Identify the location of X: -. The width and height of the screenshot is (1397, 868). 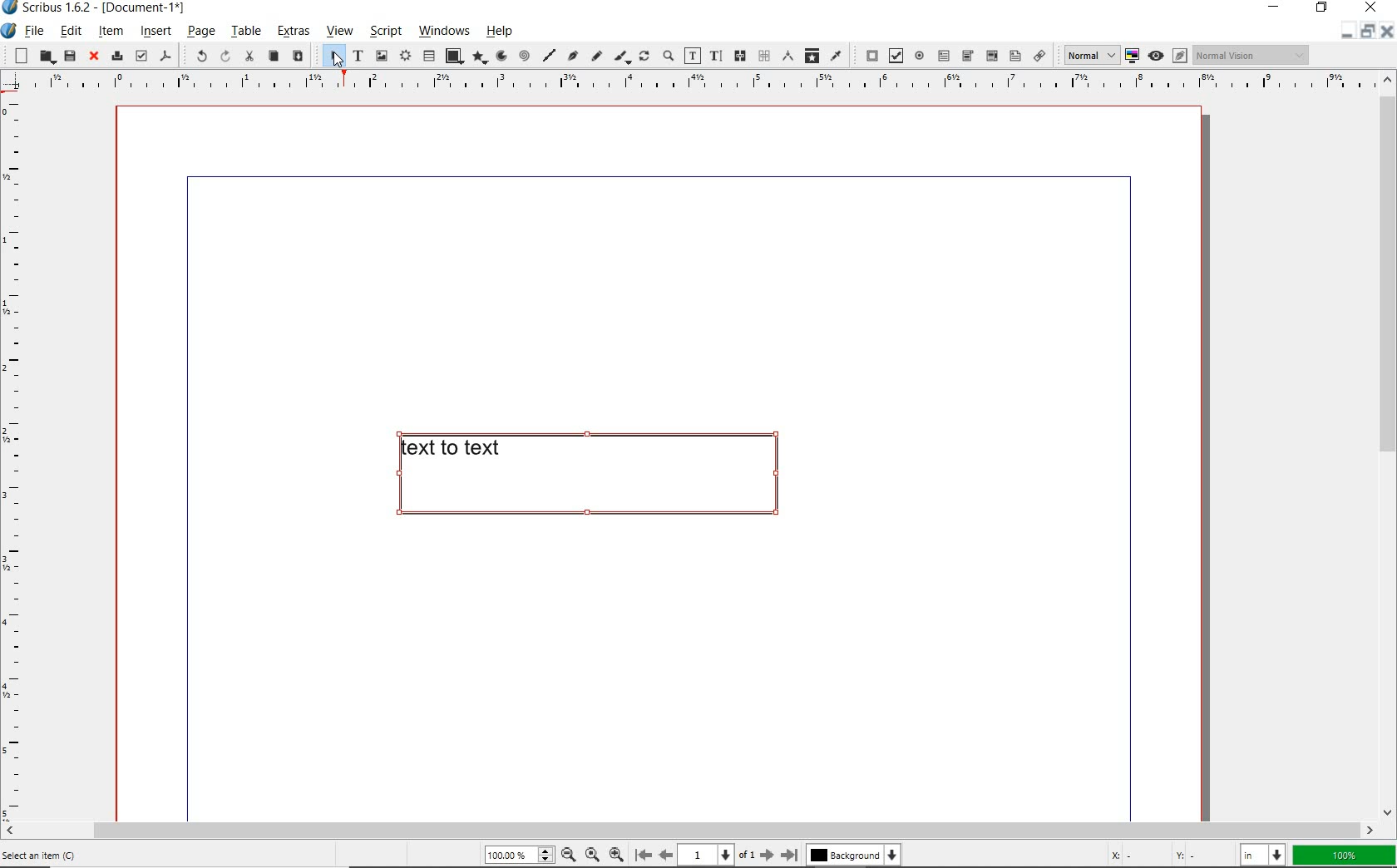
(1137, 855).